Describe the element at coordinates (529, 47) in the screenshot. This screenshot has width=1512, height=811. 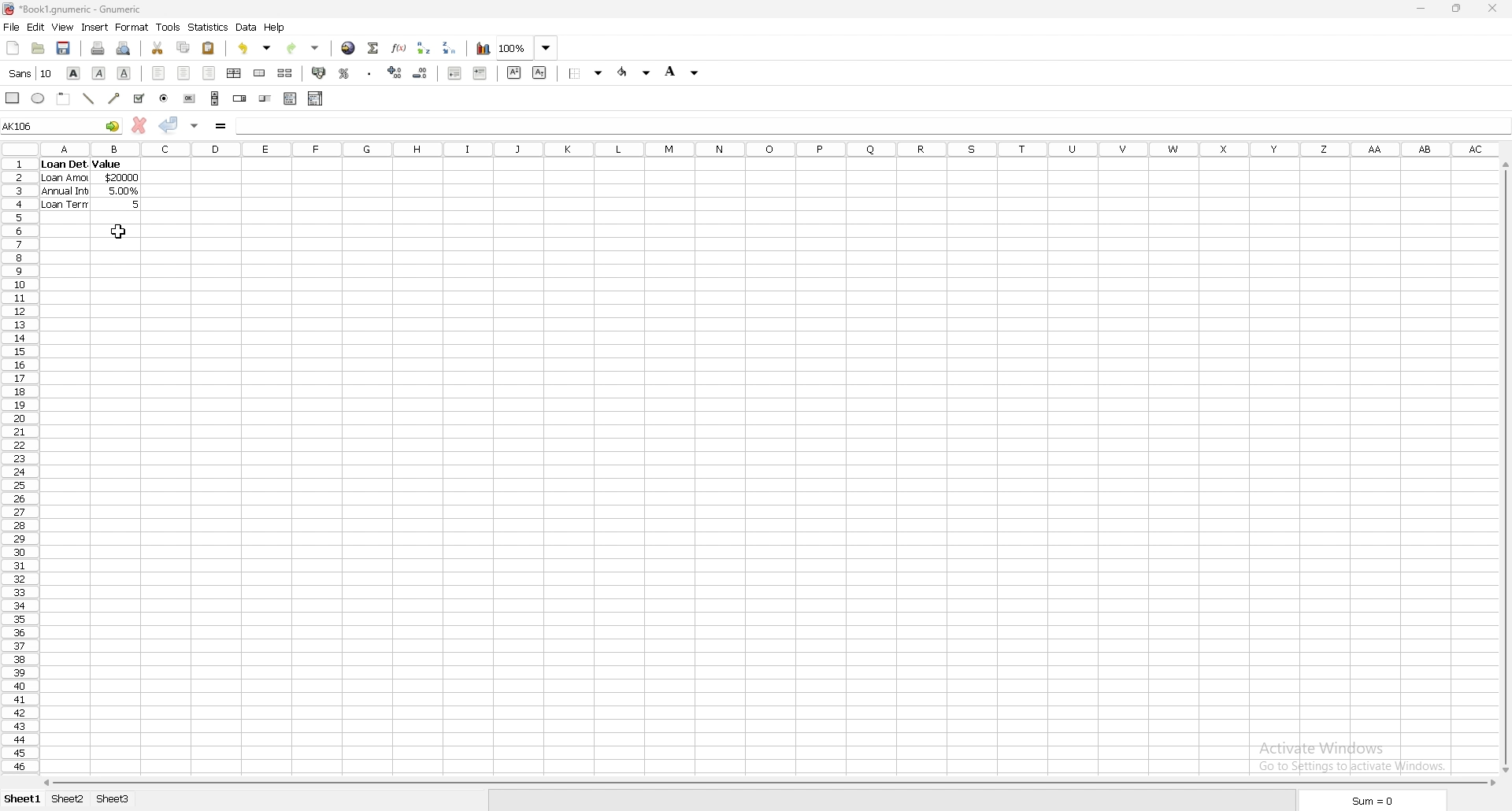
I see `zoom` at that location.